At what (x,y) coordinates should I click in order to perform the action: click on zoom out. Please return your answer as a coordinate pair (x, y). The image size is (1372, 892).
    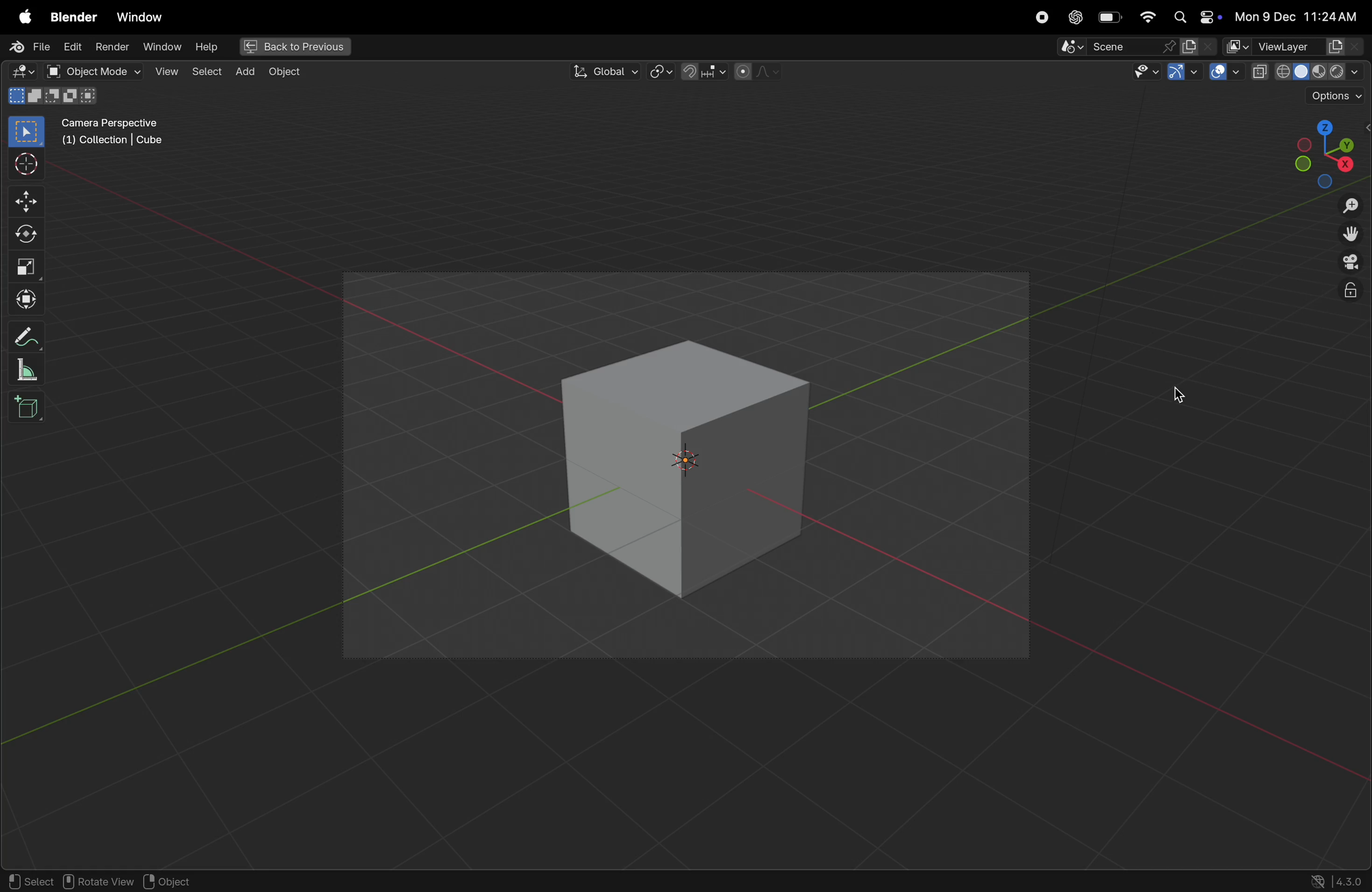
    Looking at the image, I should click on (1352, 207).